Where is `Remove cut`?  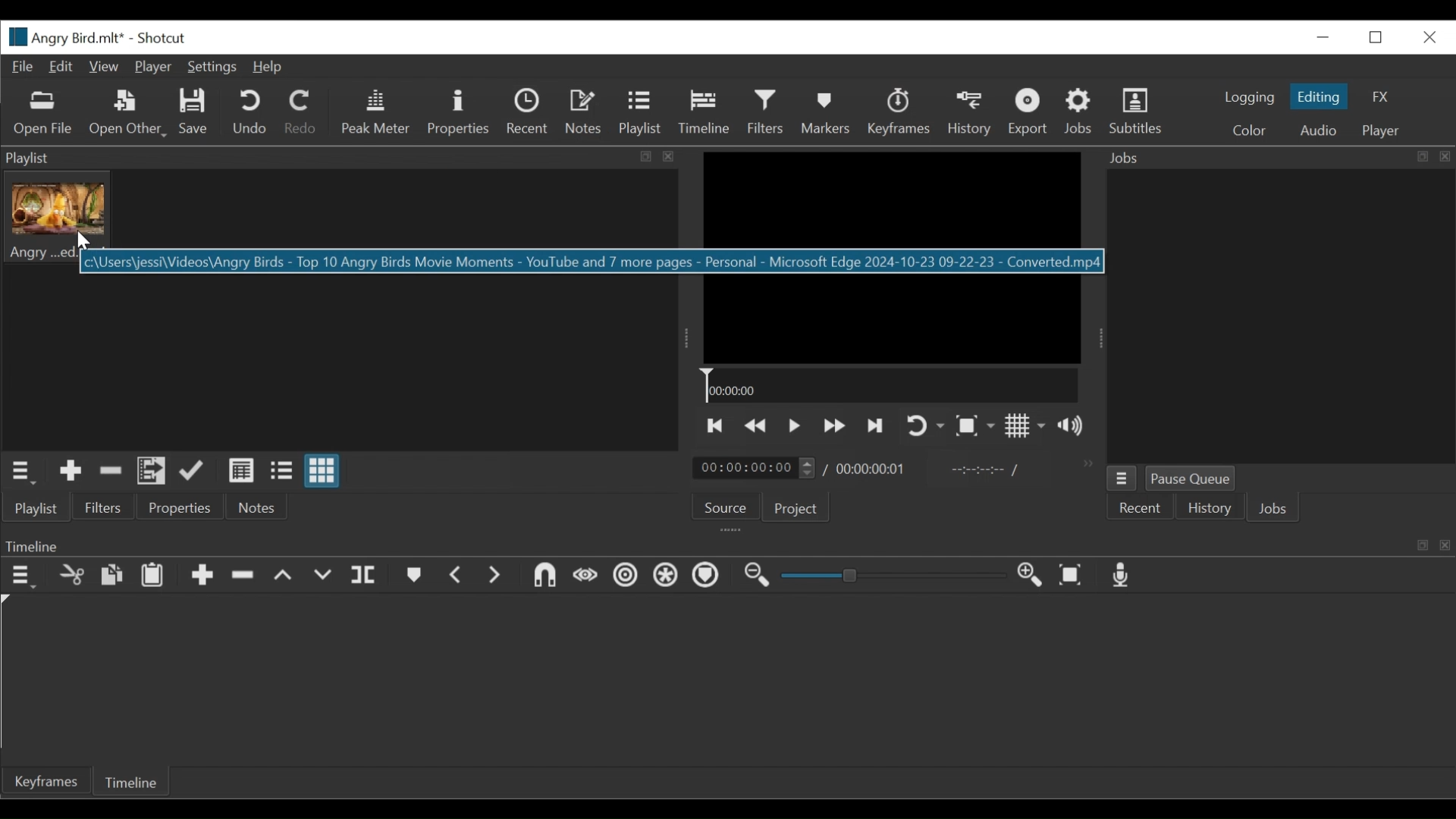
Remove cut is located at coordinates (108, 471).